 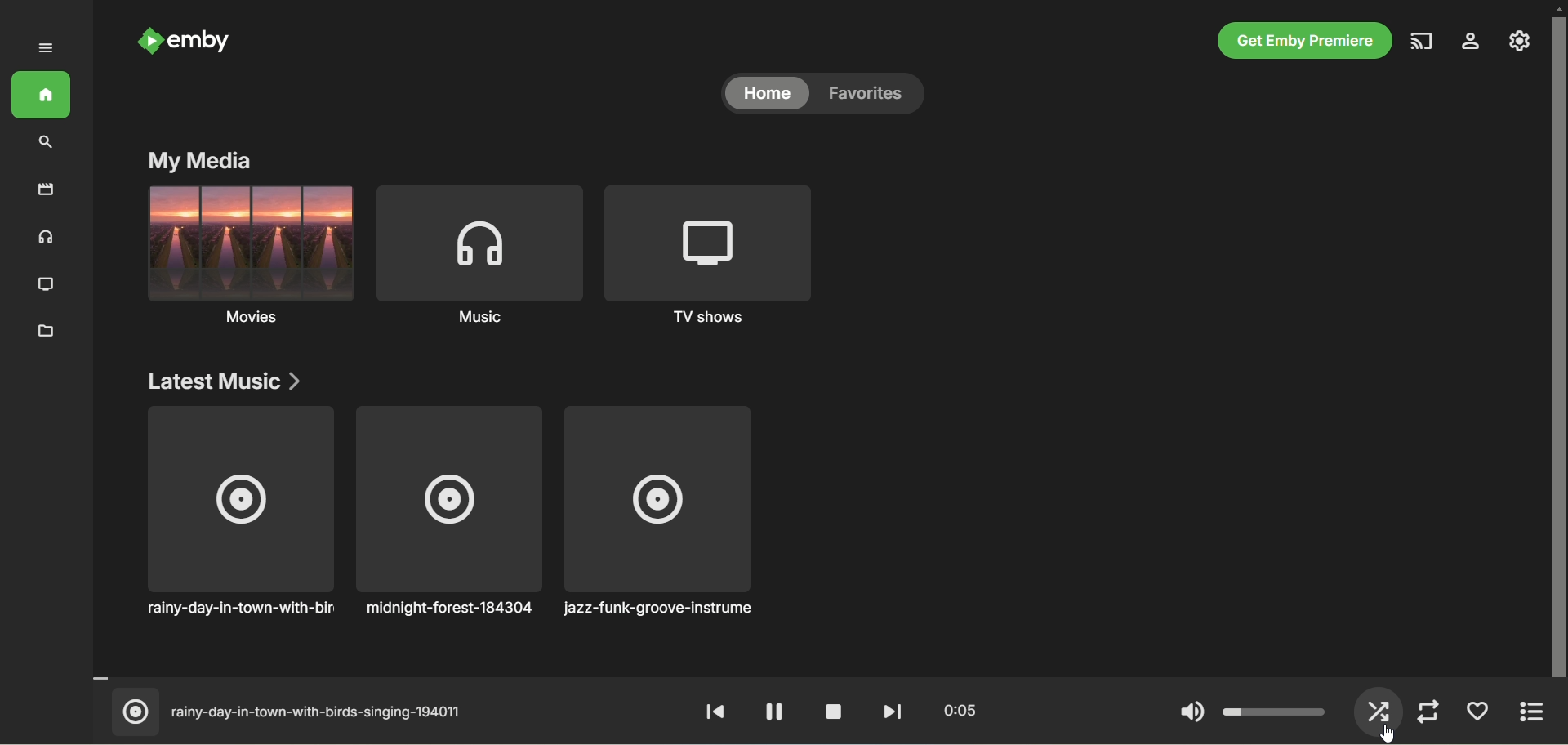 What do you see at coordinates (716, 712) in the screenshot?
I see `rewind` at bounding box center [716, 712].